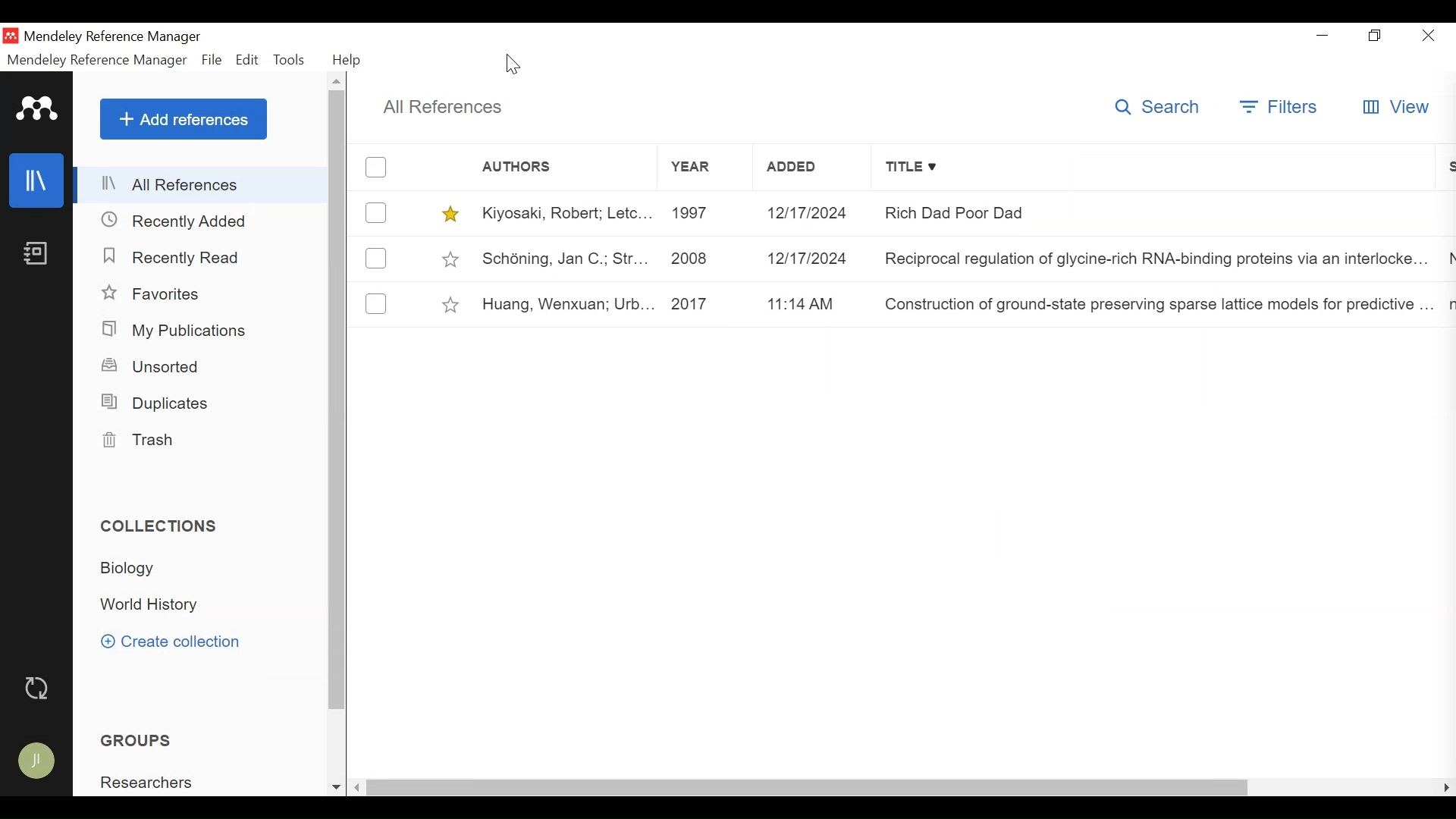 The width and height of the screenshot is (1456, 819). Describe the element at coordinates (694, 302) in the screenshot. I see `2017` at that location.